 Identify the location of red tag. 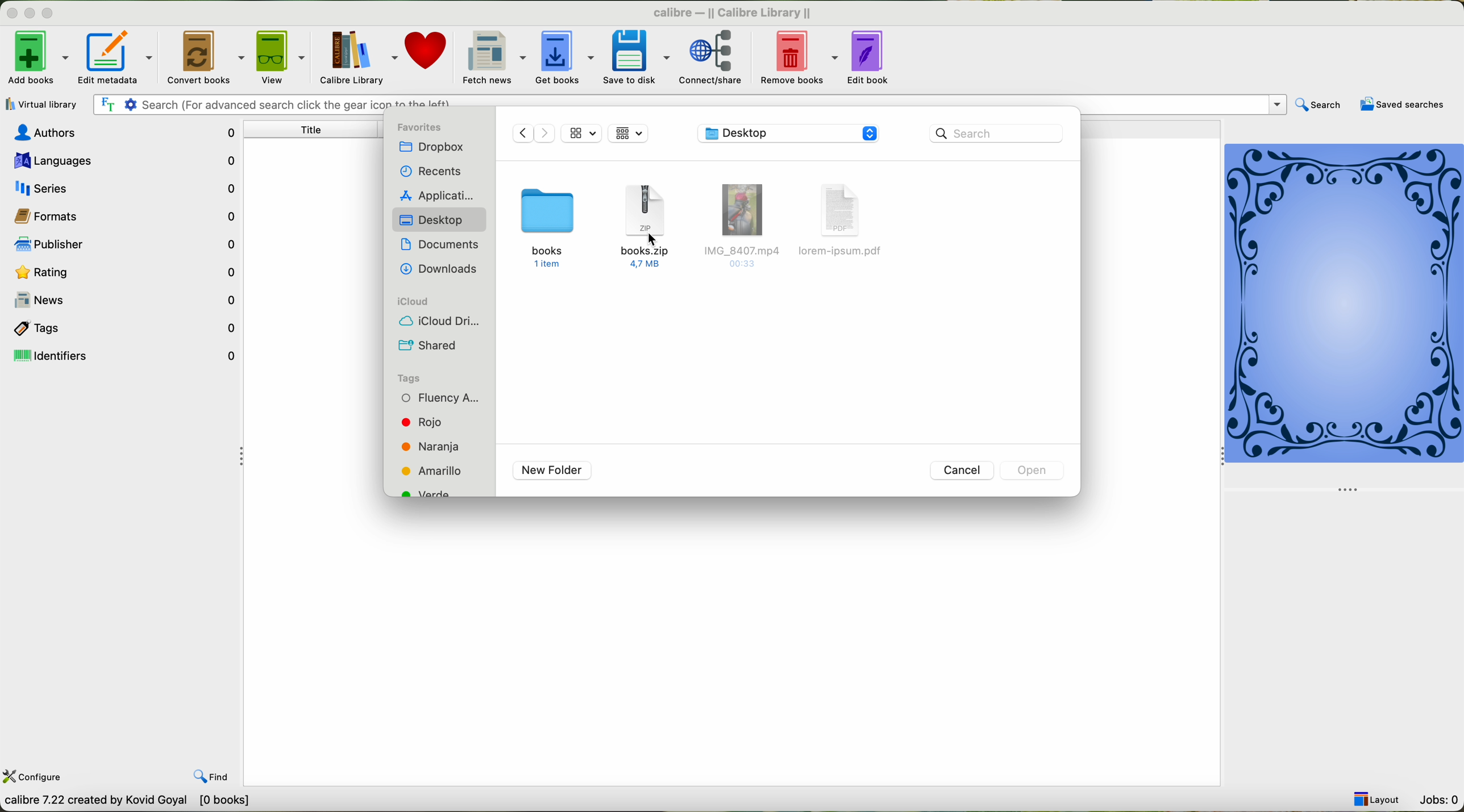
(423, 422).